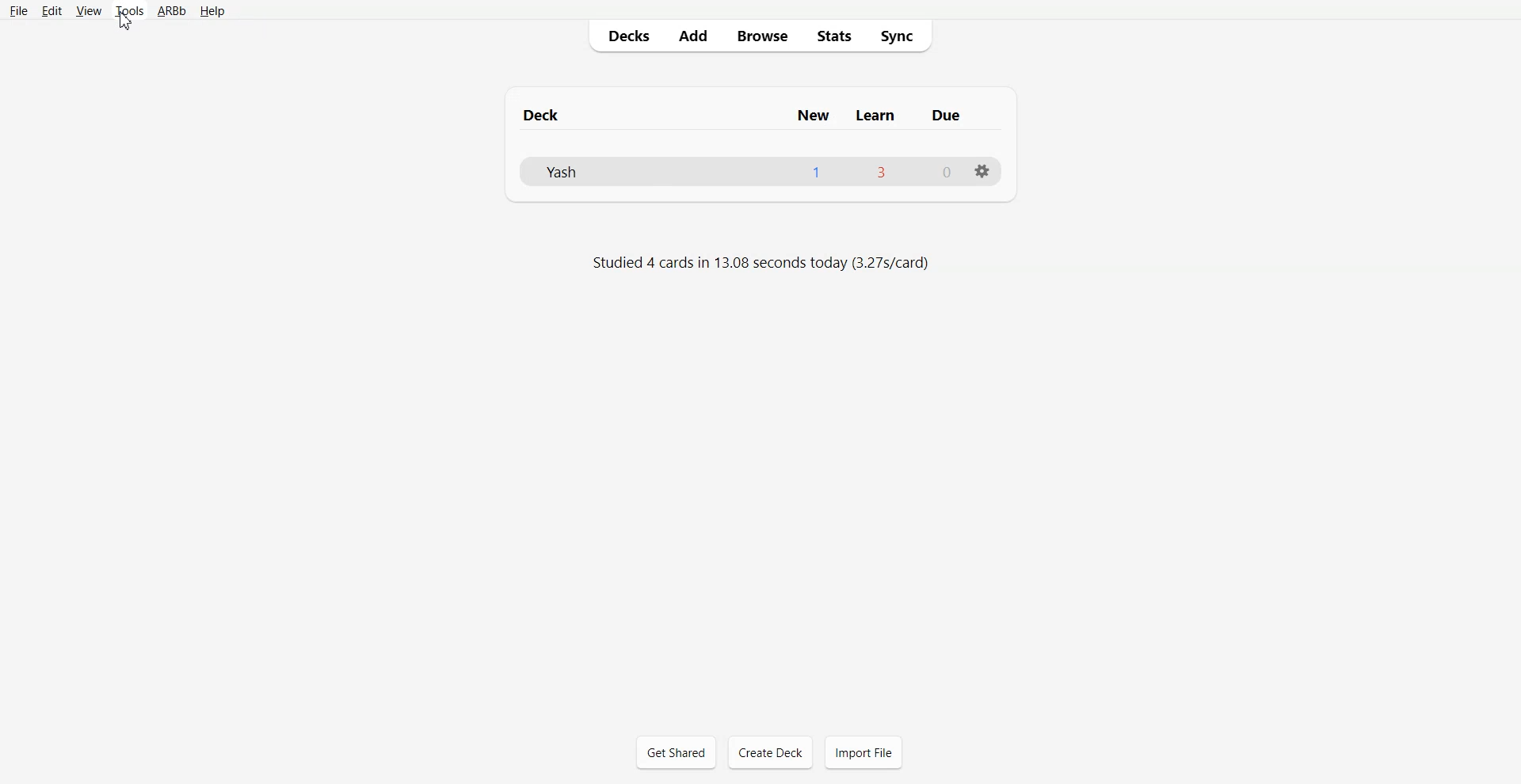  Describe the element at coordinates (677, 752) in the screenshot. I see `Get Shared` at that location.